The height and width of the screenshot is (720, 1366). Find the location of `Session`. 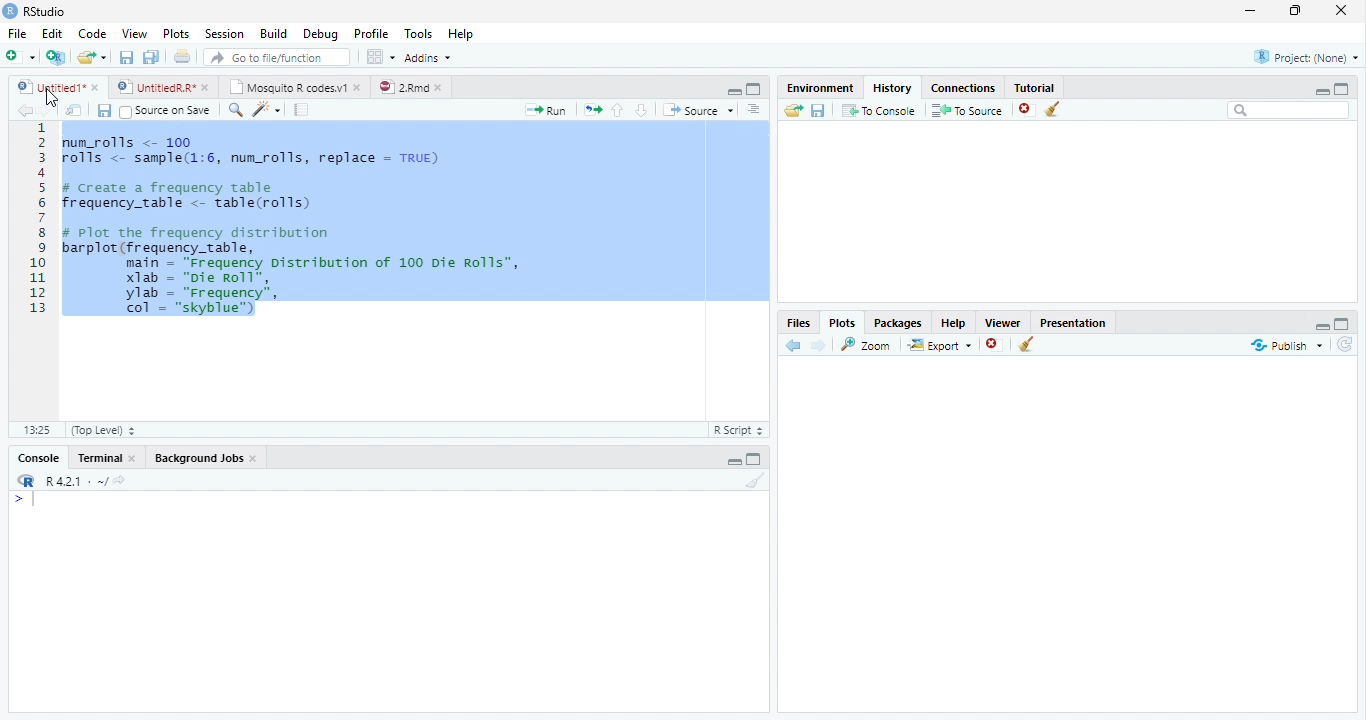

Session is located at coordinates (225, 33).